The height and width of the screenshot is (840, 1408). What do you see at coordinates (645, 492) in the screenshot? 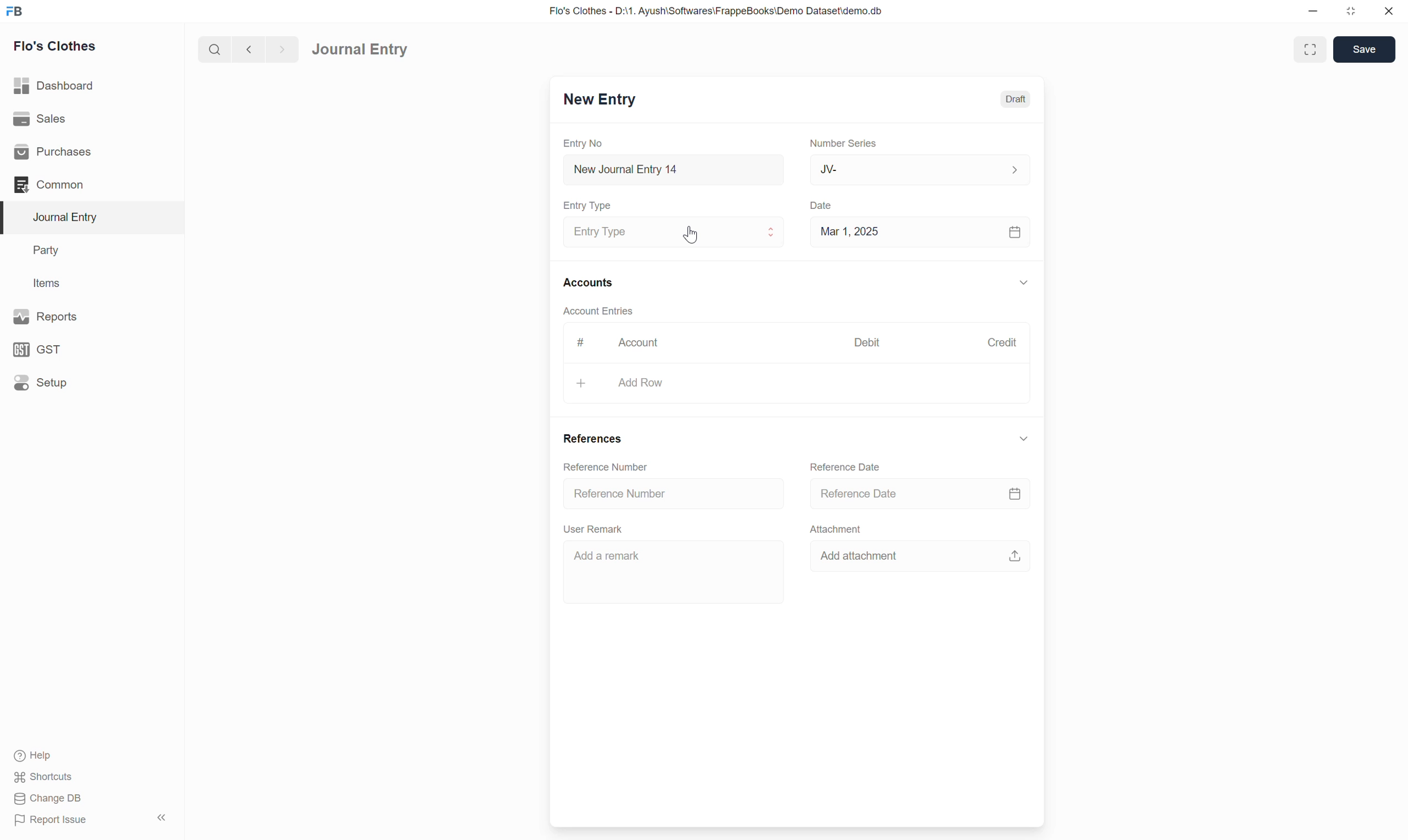
I see `Reference number` at bounding box center [645, 492].